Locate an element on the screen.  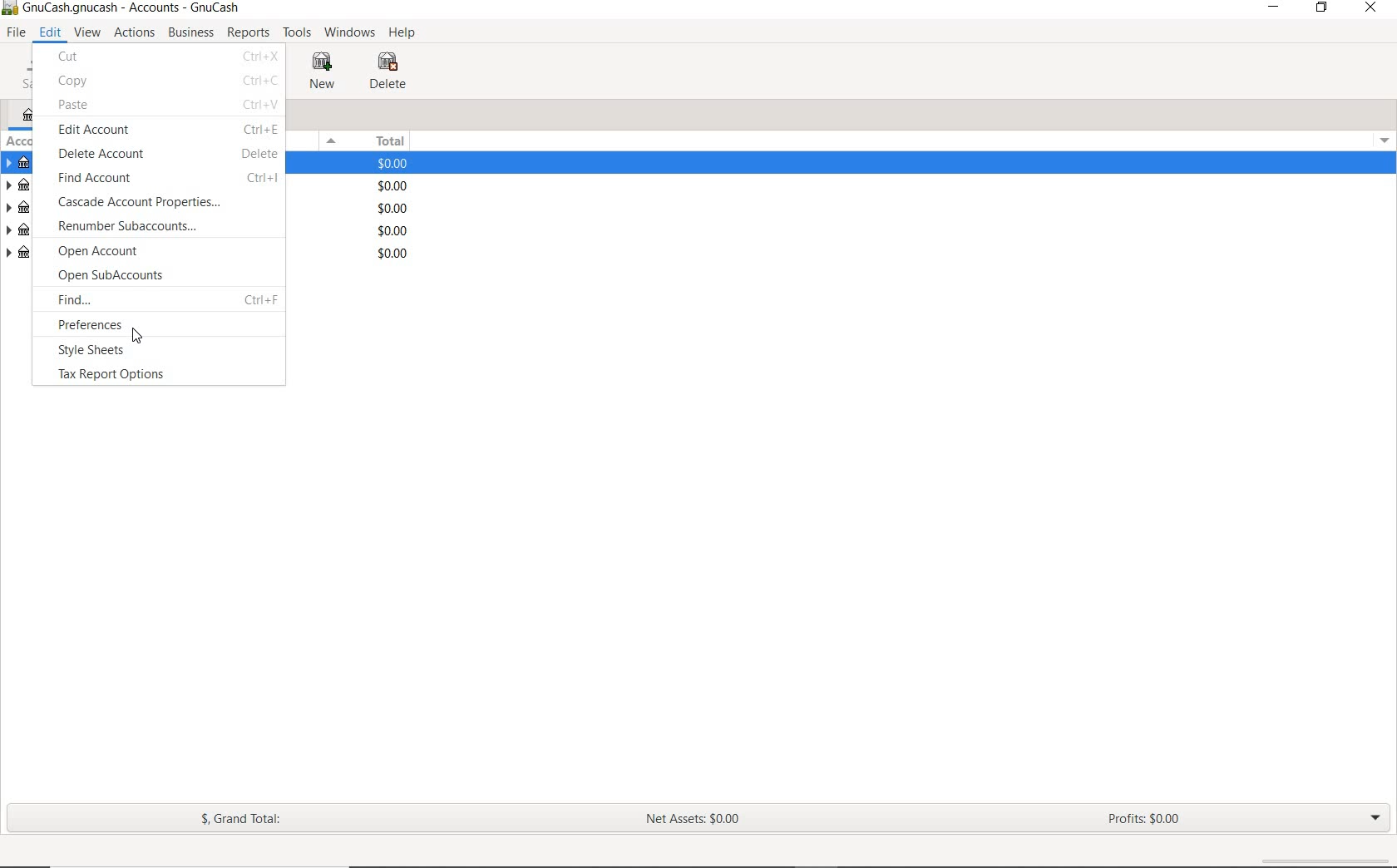
NEW is located at coordinates (320, 72).